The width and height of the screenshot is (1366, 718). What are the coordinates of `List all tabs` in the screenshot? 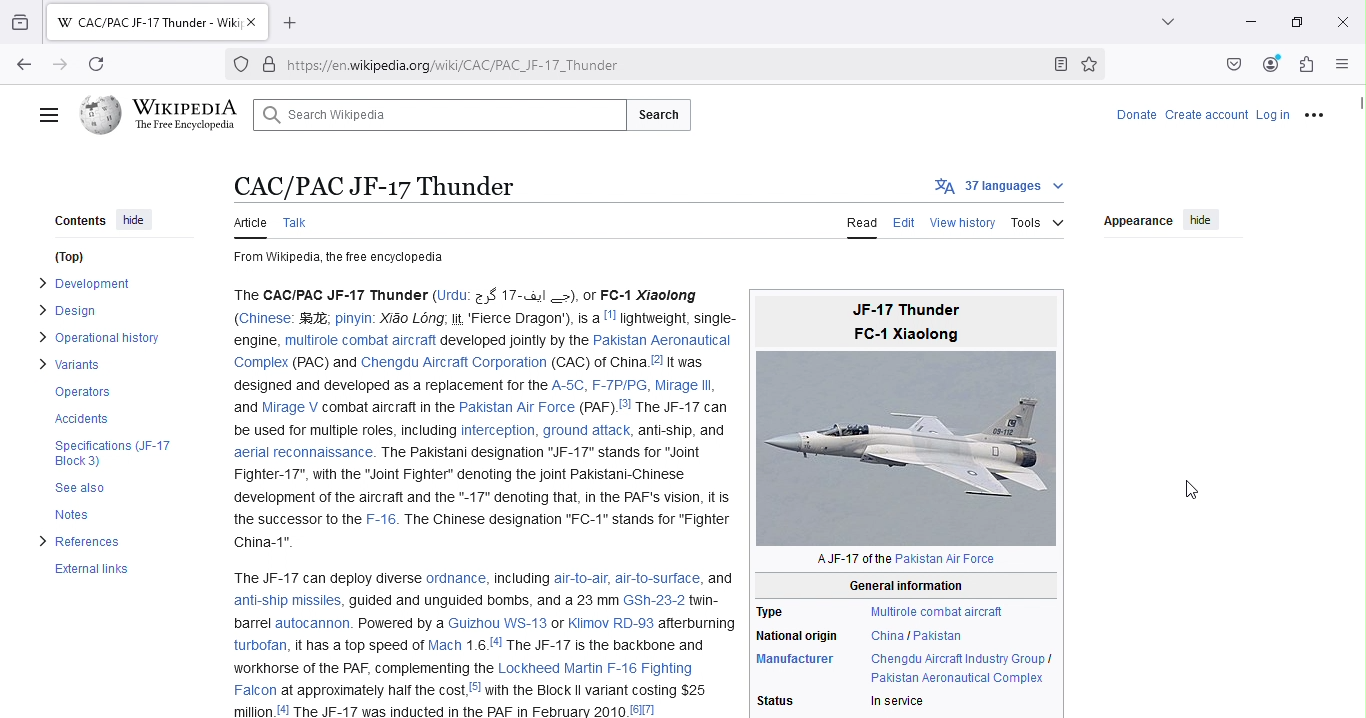 It's located at (1170, 24).